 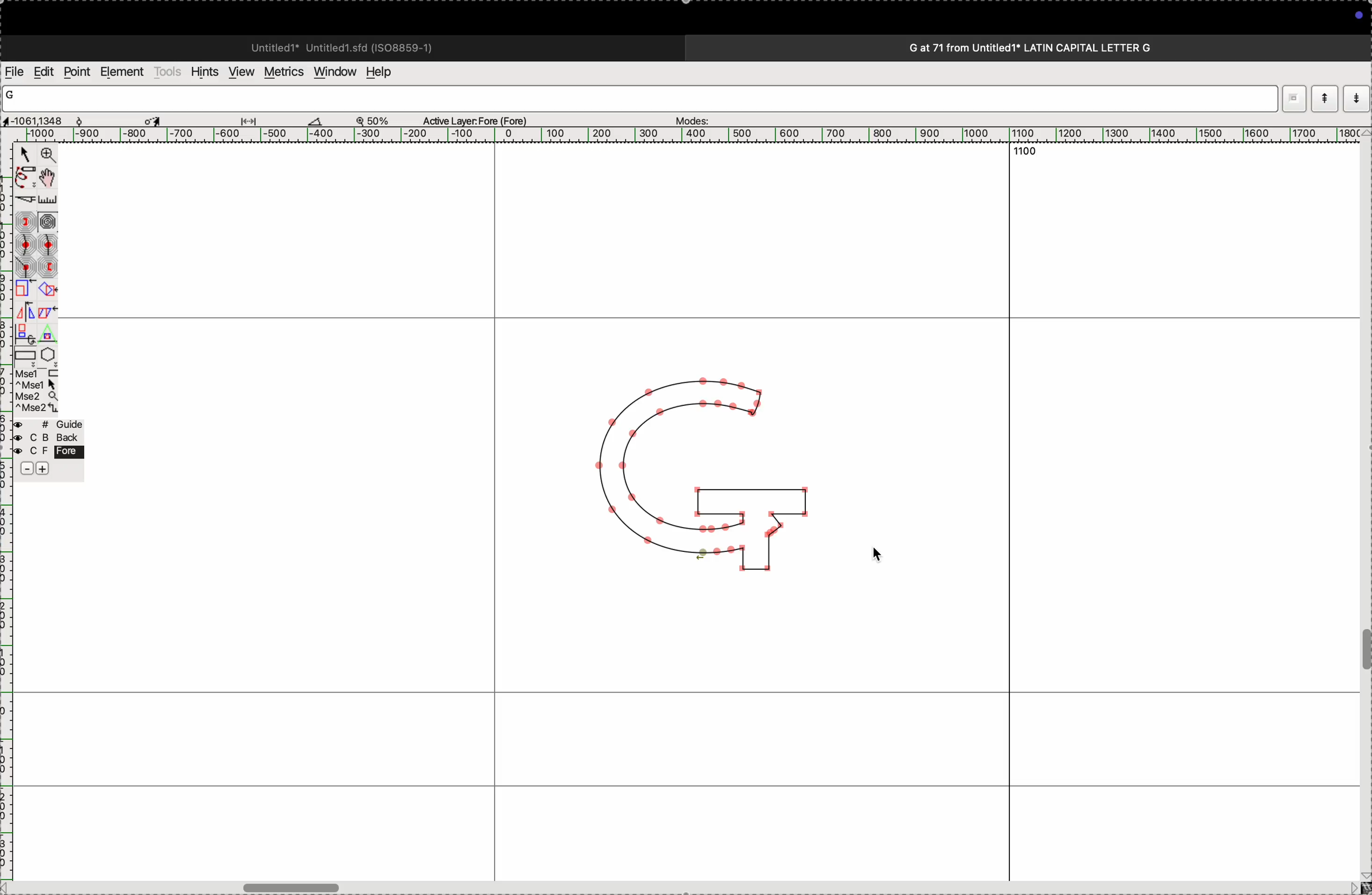 What do you see at coordinates (27, 468) in the screenshot?
I see `decrease` at bounding box center [27, 468].